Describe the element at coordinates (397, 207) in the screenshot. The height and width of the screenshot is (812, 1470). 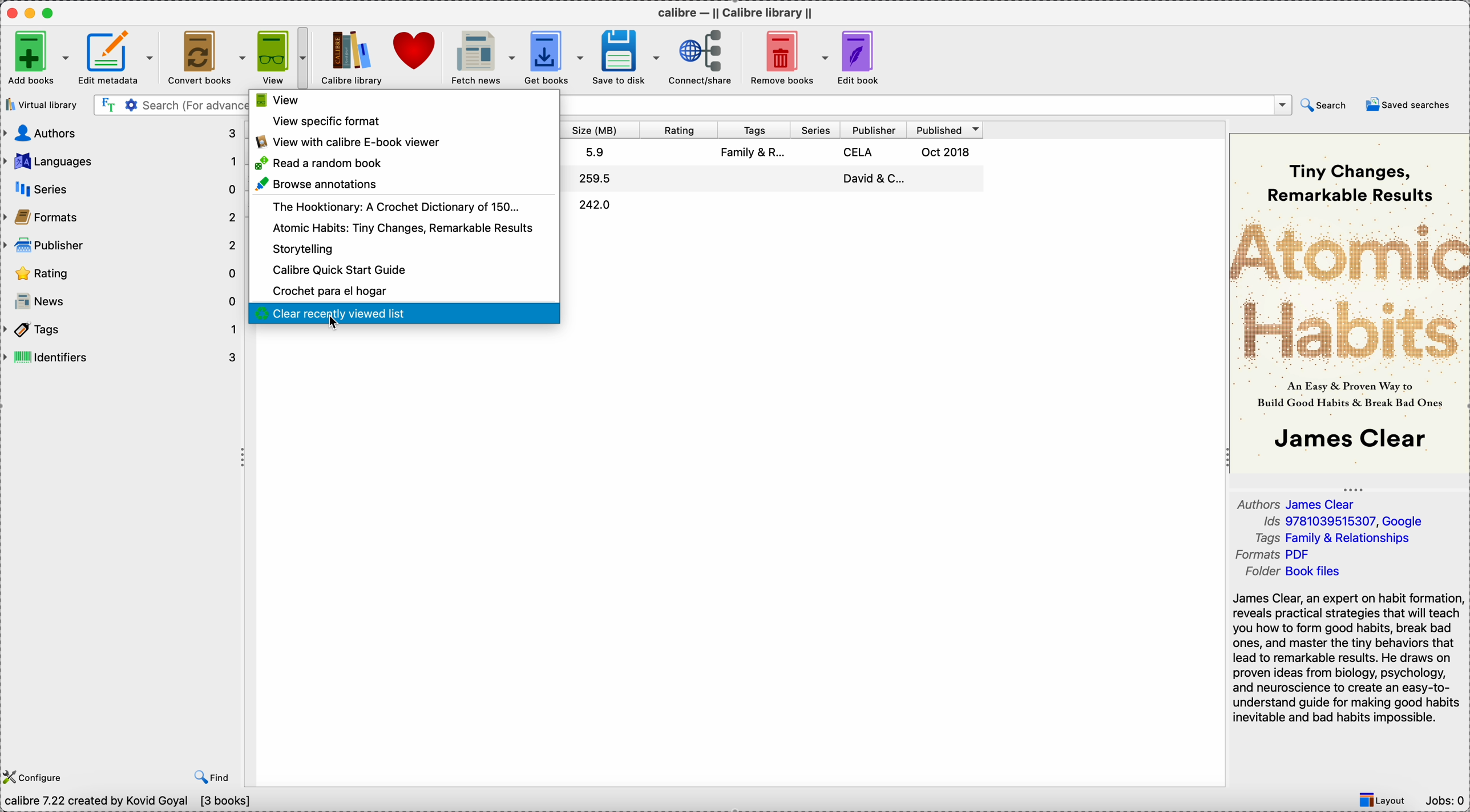
I see `The Hooktionary: A Crochet Dictionary of 150...` at that location.